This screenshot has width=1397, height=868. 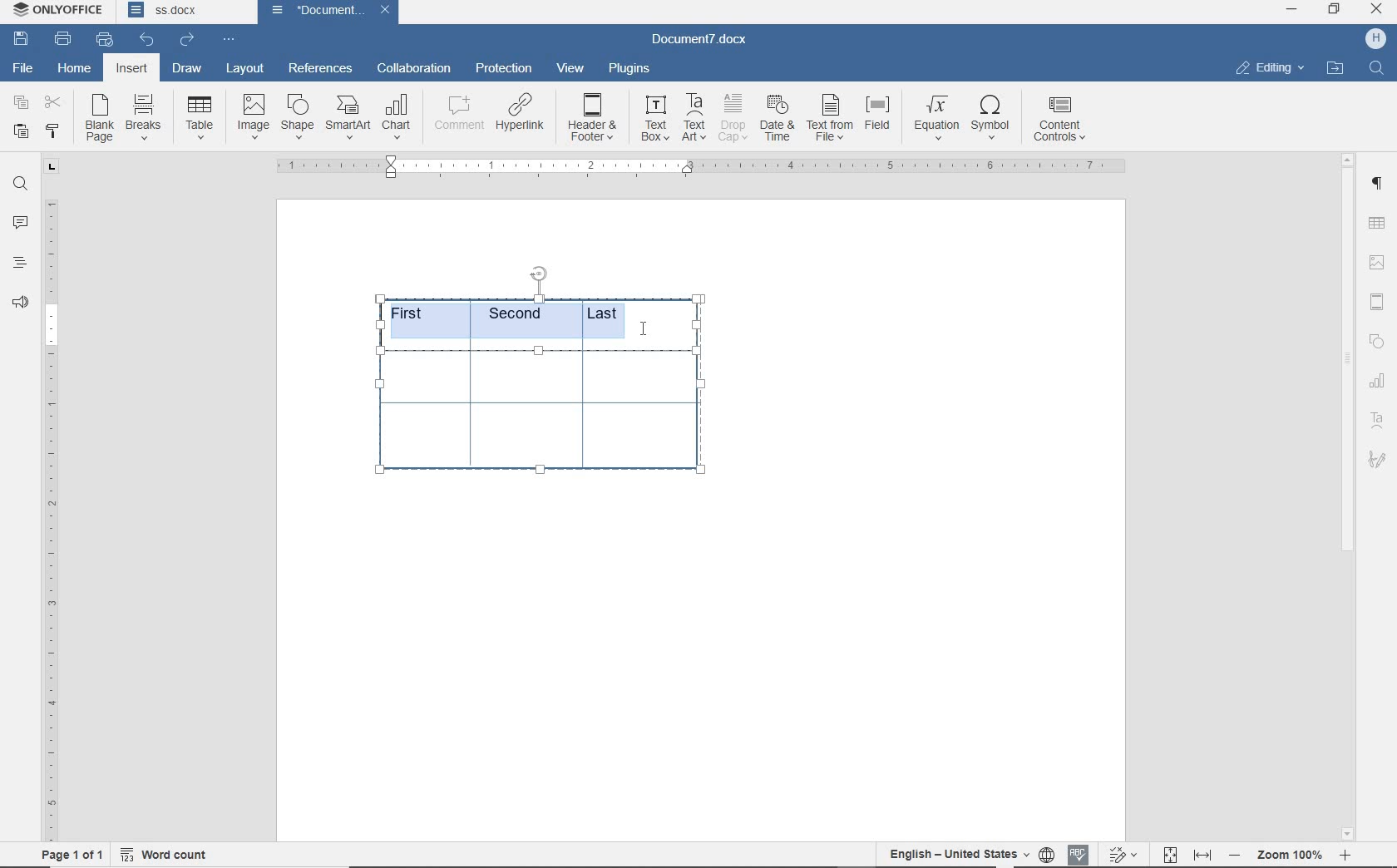 I want to click on text cursor, so click(x=654, y=333).